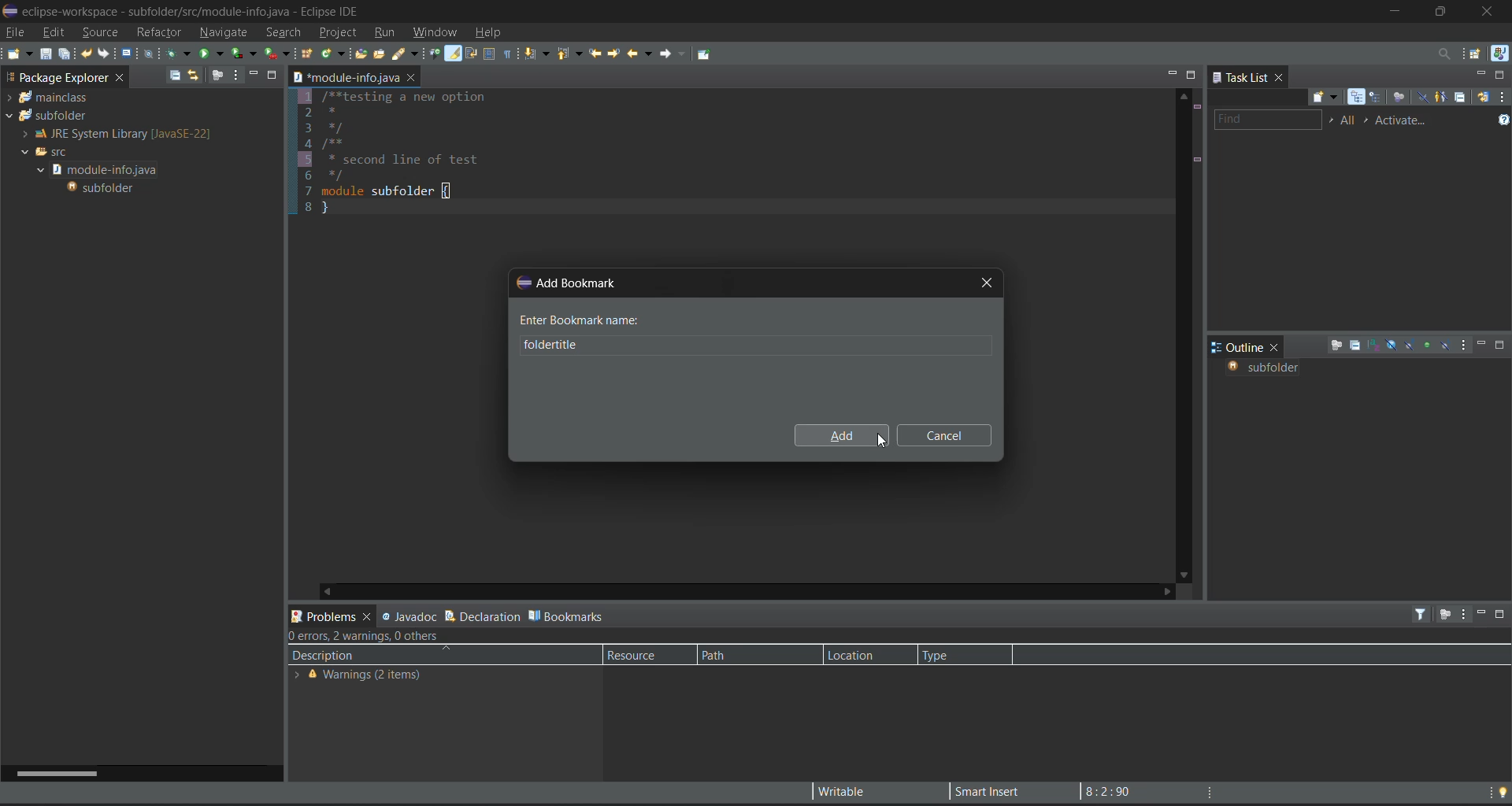 The width and height of the screenshot is (1512, 806). What do you see at coordinates (1241, 78) in the screenshot?
I see `task list` at bounding box center [1241, 78].